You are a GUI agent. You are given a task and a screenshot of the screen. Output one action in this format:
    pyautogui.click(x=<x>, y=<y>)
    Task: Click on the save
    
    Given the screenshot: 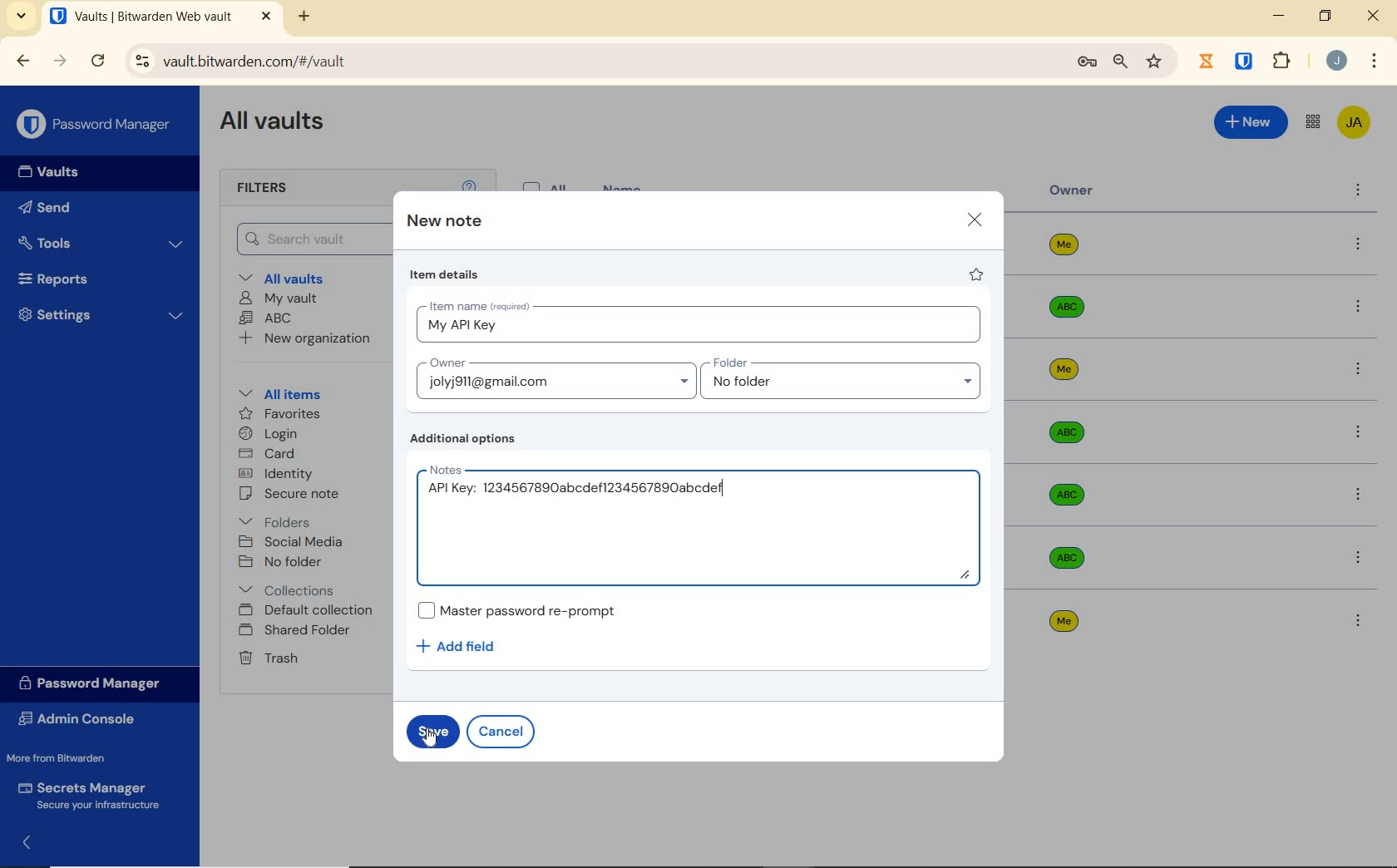 What is the action you would take?
    pyautogui.click(x=433, y=730)
    